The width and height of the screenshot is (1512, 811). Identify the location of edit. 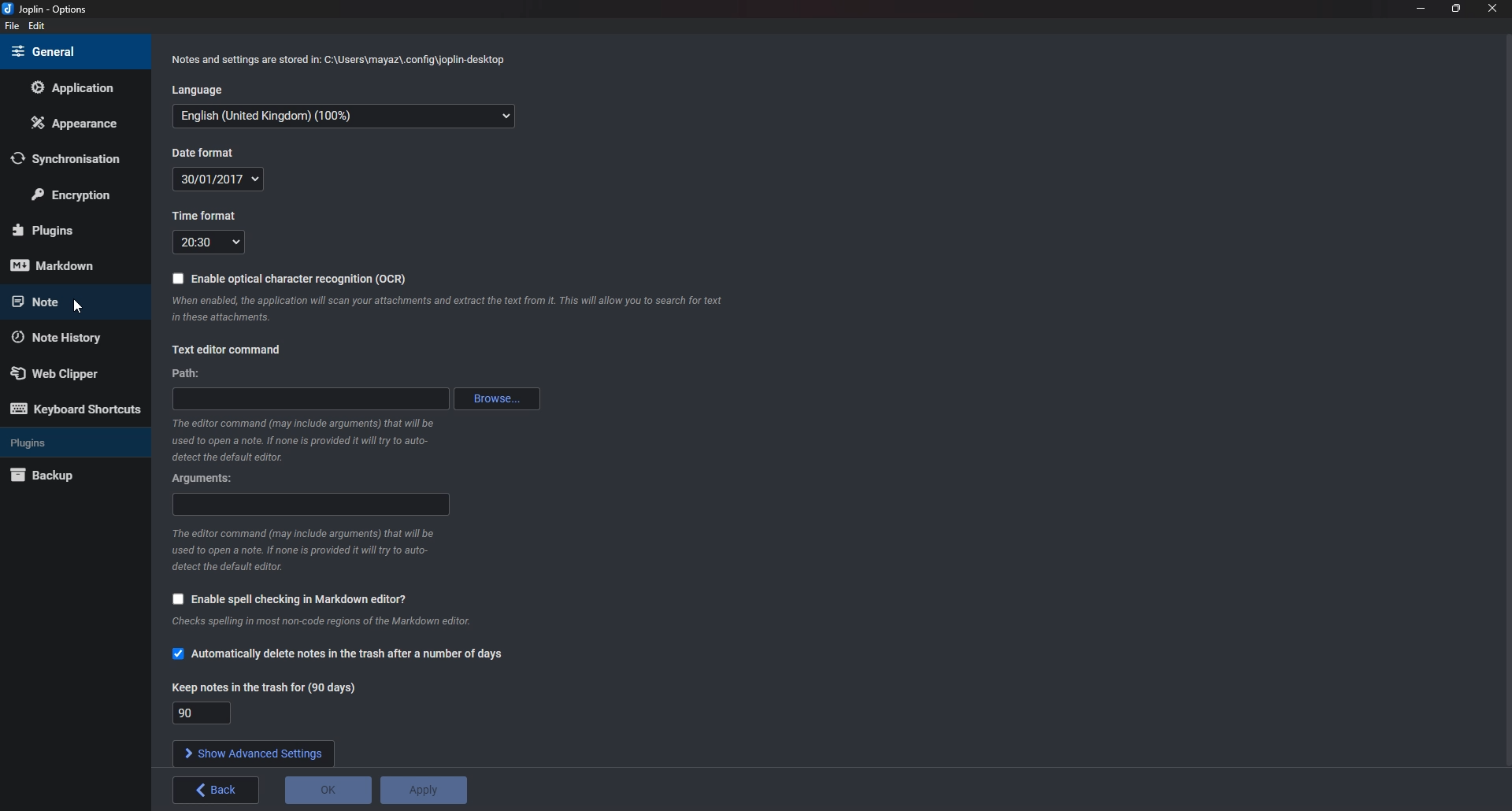
(35, 25).